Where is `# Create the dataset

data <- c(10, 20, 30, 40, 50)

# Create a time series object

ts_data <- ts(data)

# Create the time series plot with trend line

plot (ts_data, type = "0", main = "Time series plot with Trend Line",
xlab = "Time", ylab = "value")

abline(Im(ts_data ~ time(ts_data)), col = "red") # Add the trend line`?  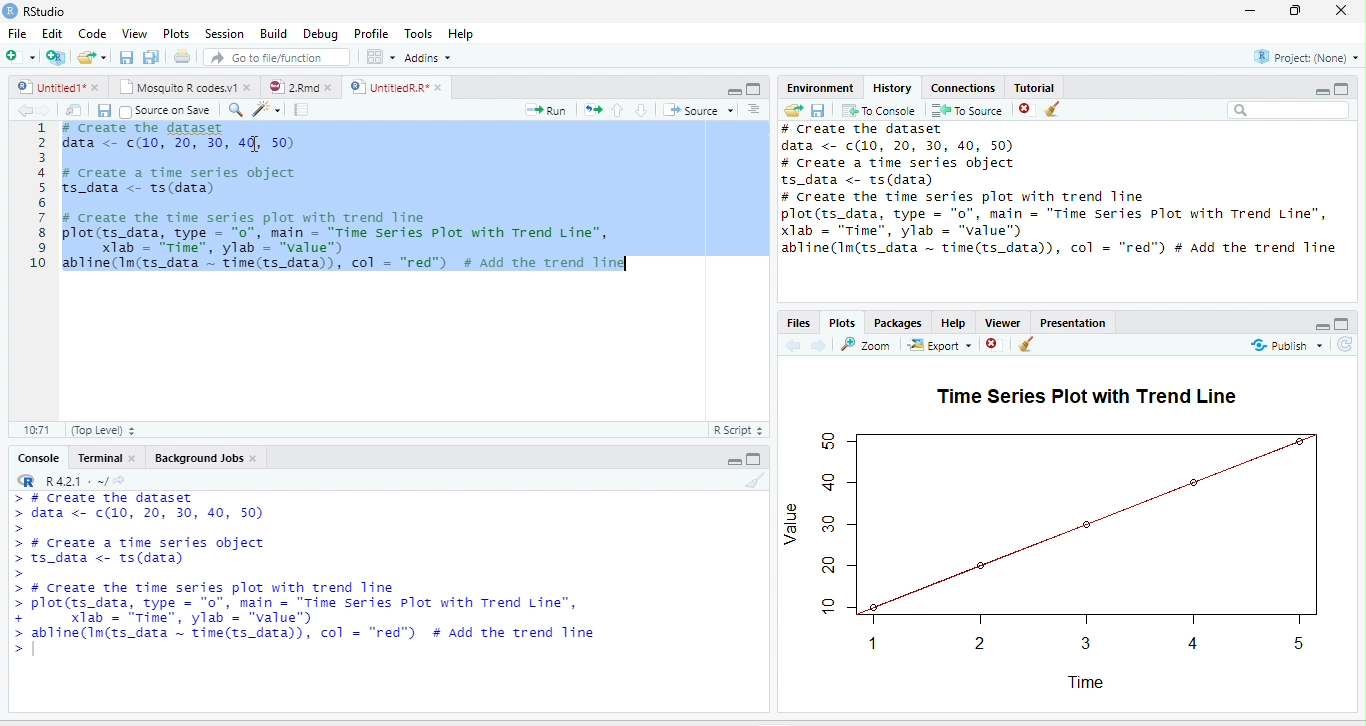 # Create the dataset

data <- c(10, 20, 30, 40, 50)

# Create a time series object

ts_data <- ts(data)

# Create the time series plot with trend line

plot (ts_data, type = "0", main = "Time series plot with Trend Line",
xlab = "Time", ylab = "value")

abline(Im(ts_data ~ time(ts_data)), col = "red") # Add the trend line is located at coordinates (1060, 189).